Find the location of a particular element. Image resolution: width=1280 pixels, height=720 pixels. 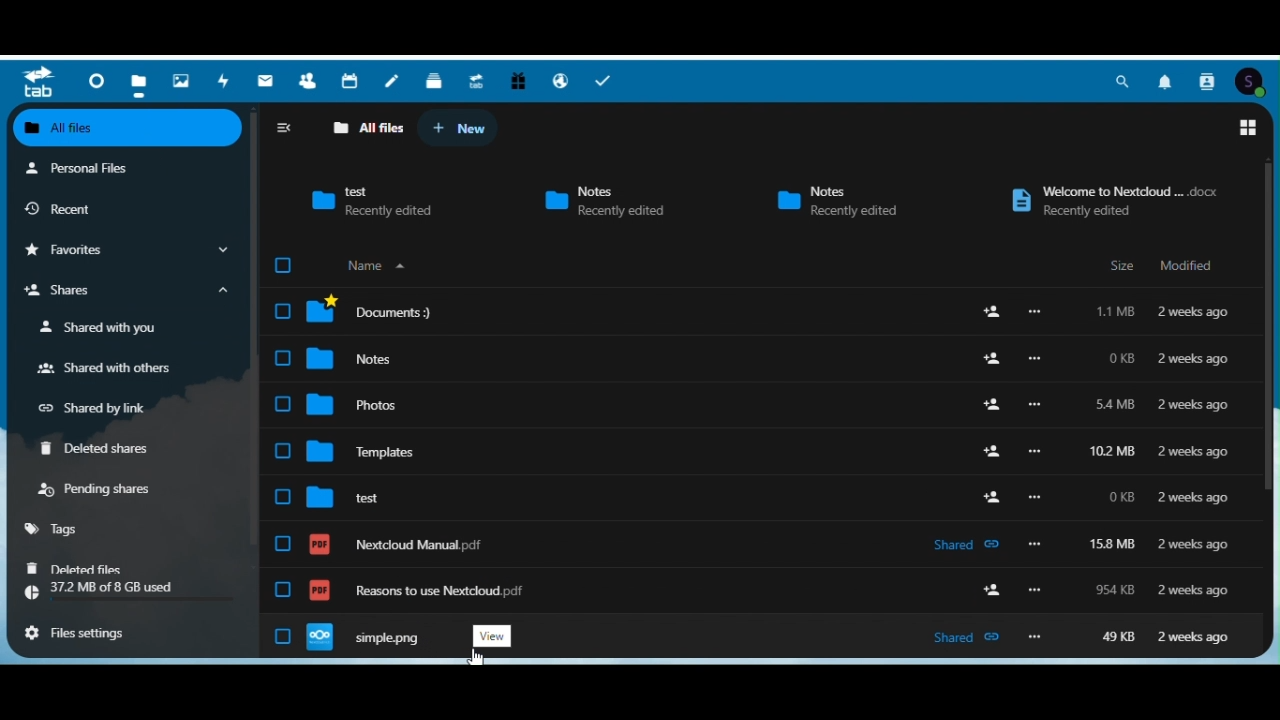

shared is located at coordinates (966, 638).